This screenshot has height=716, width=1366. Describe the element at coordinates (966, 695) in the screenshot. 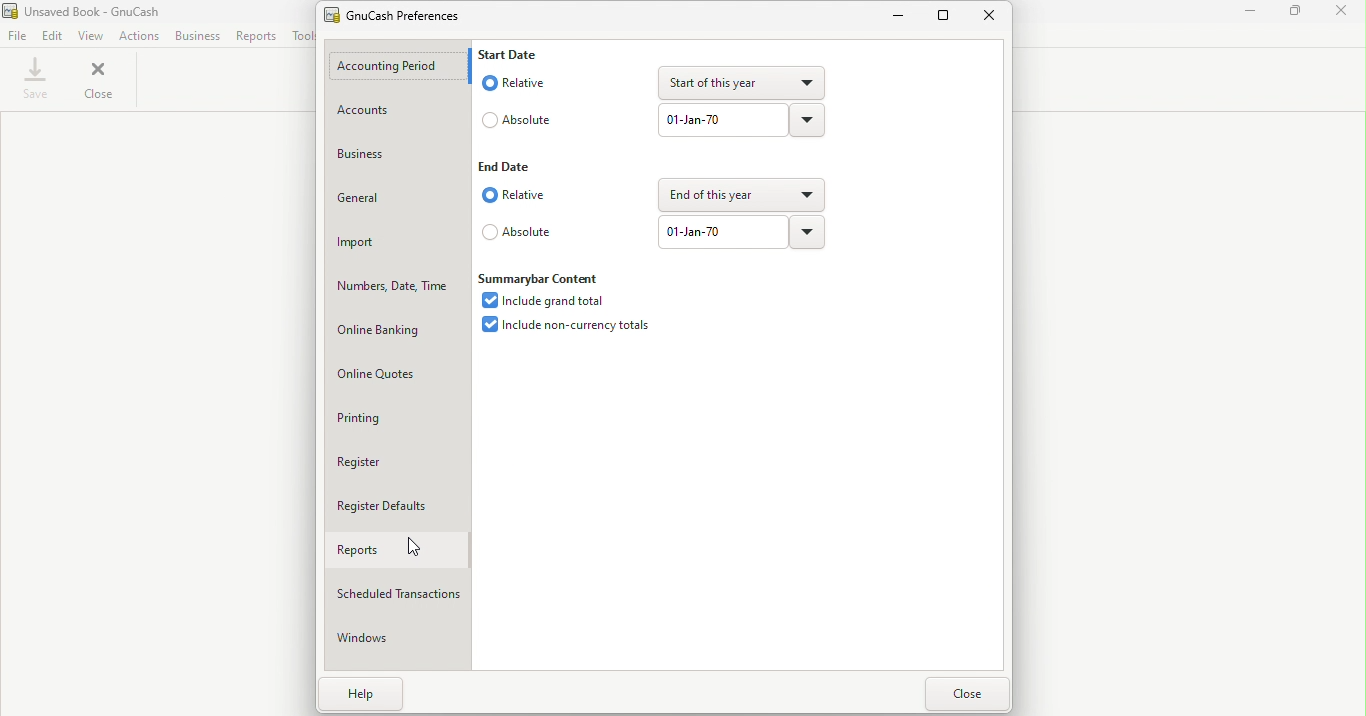

I see `Close` at that location.